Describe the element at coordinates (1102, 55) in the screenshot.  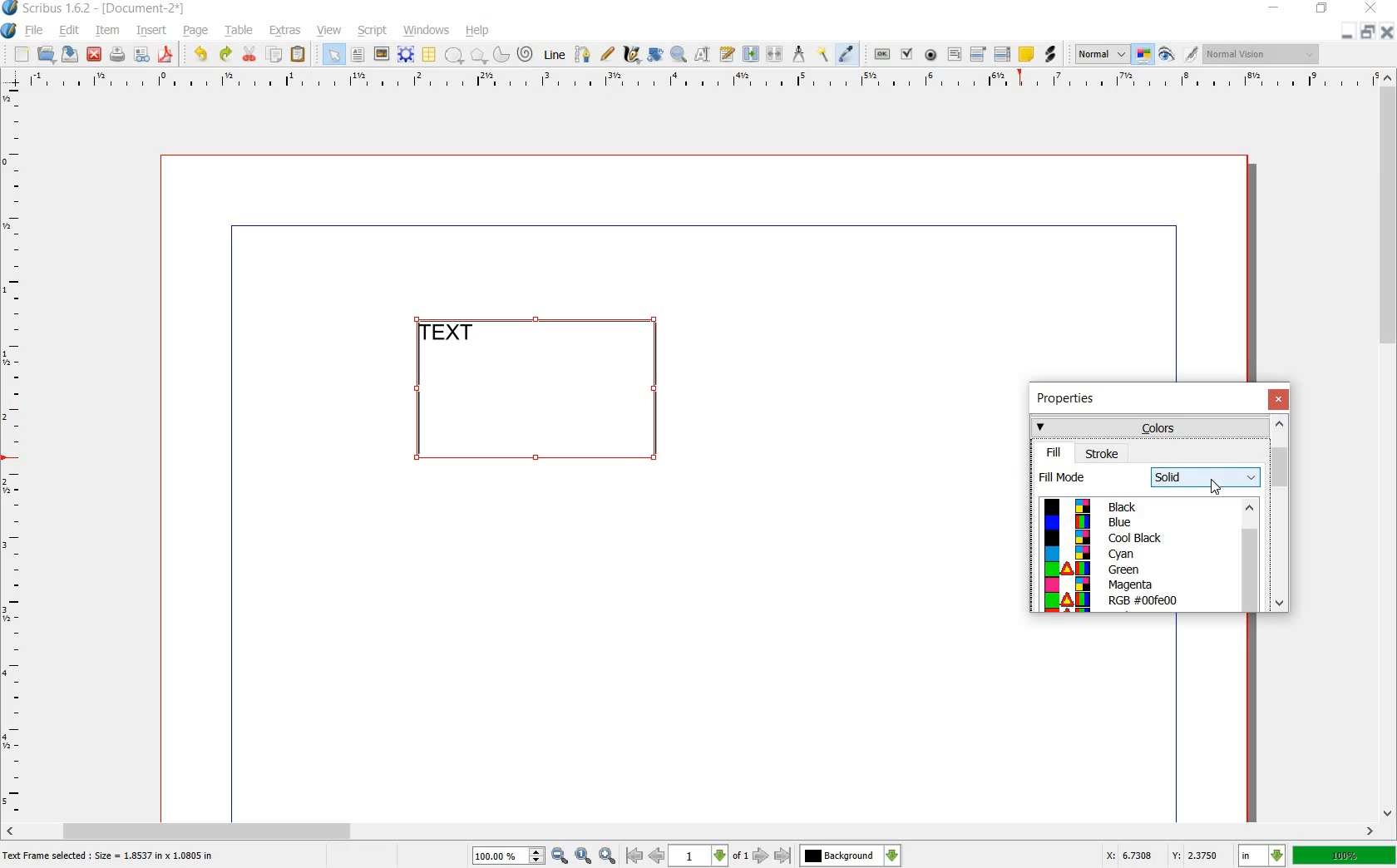
I see `normal` at that location.